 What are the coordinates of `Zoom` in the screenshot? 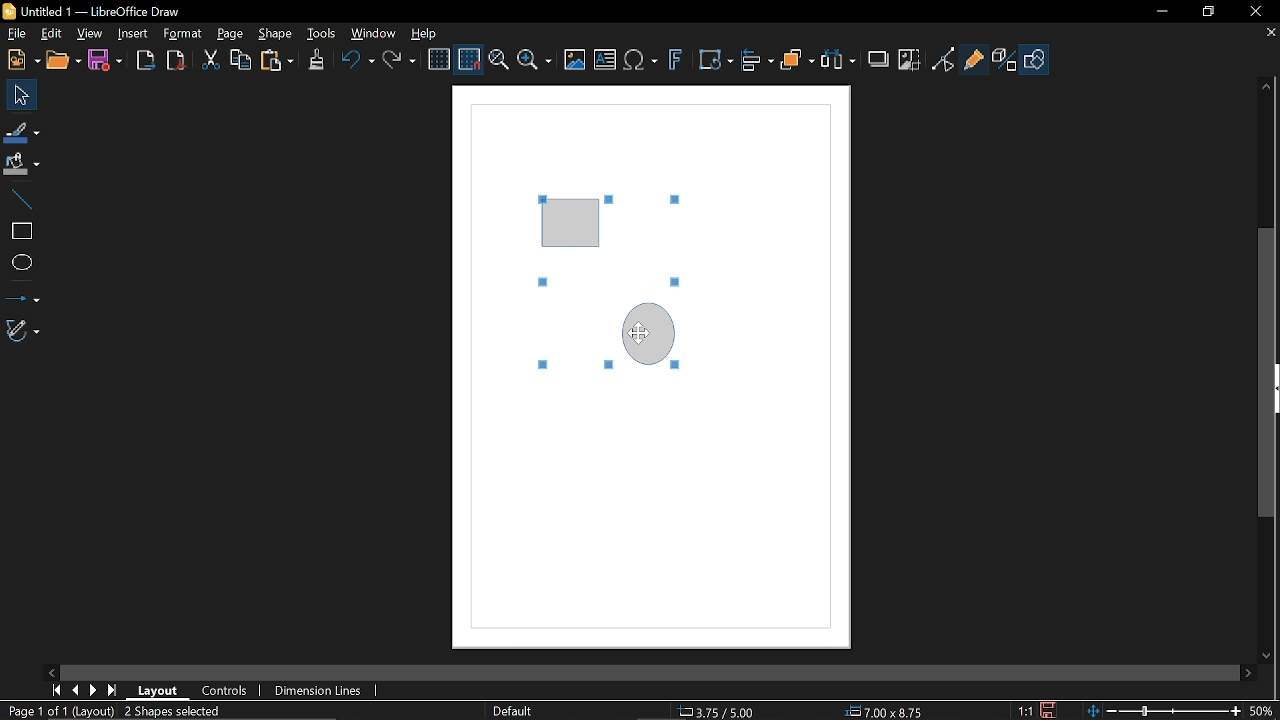 It's located at (537, 62).